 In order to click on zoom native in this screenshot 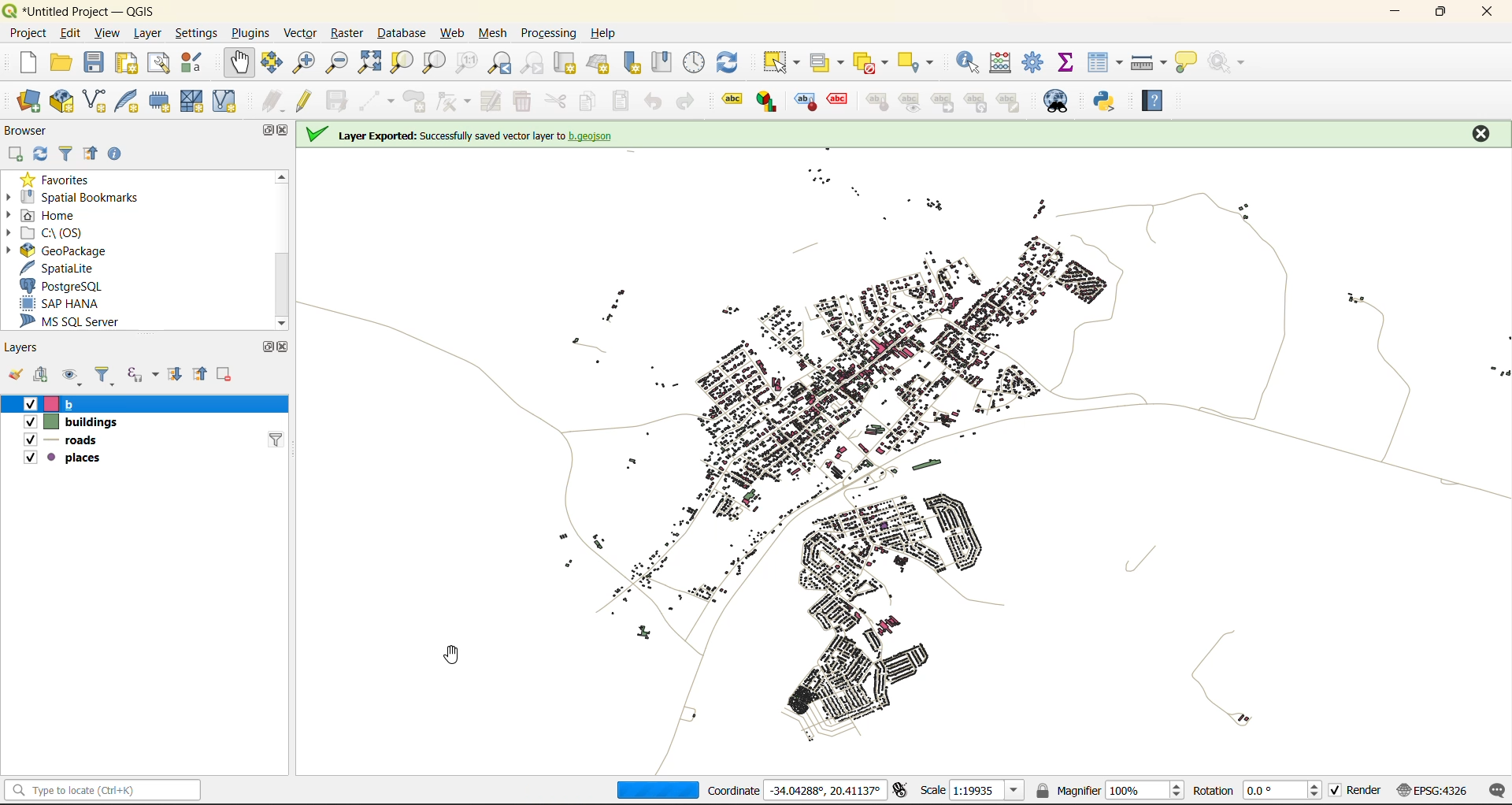, I will do `click(469, 61)`.